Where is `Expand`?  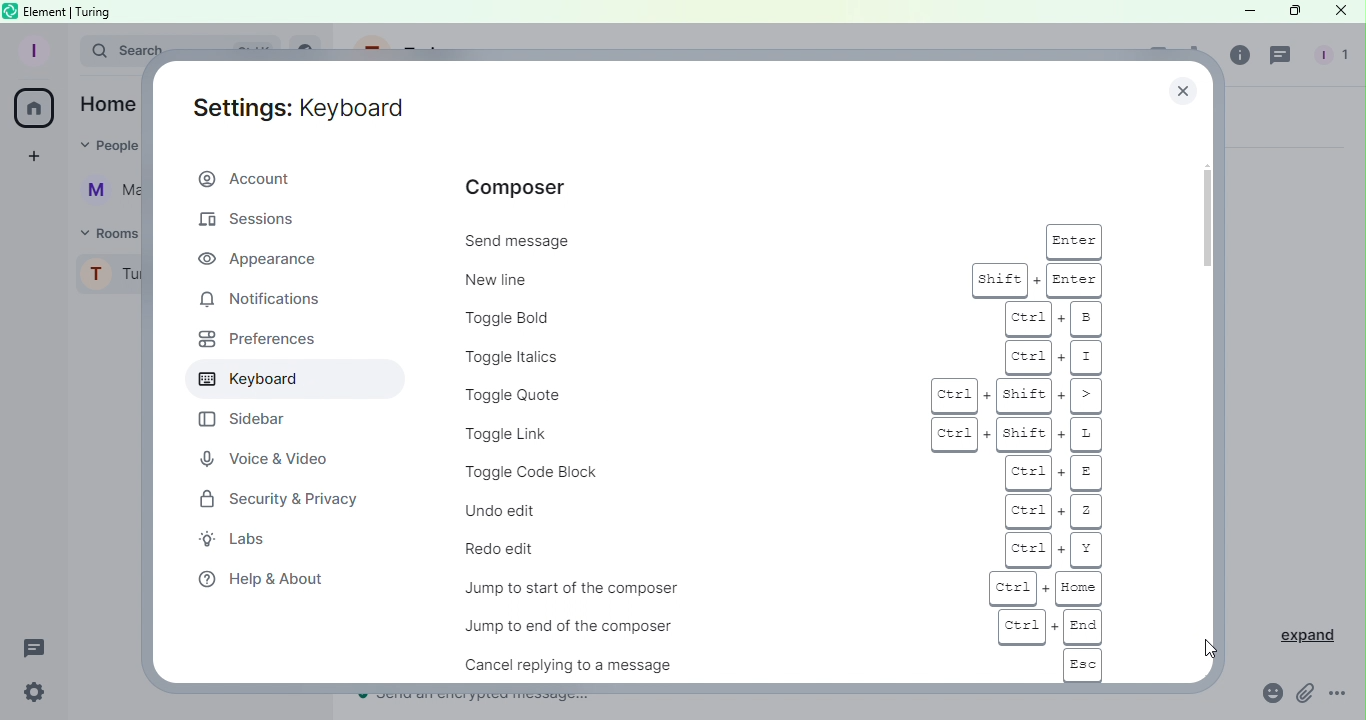 Expand is located at coordinates (1299, 635).